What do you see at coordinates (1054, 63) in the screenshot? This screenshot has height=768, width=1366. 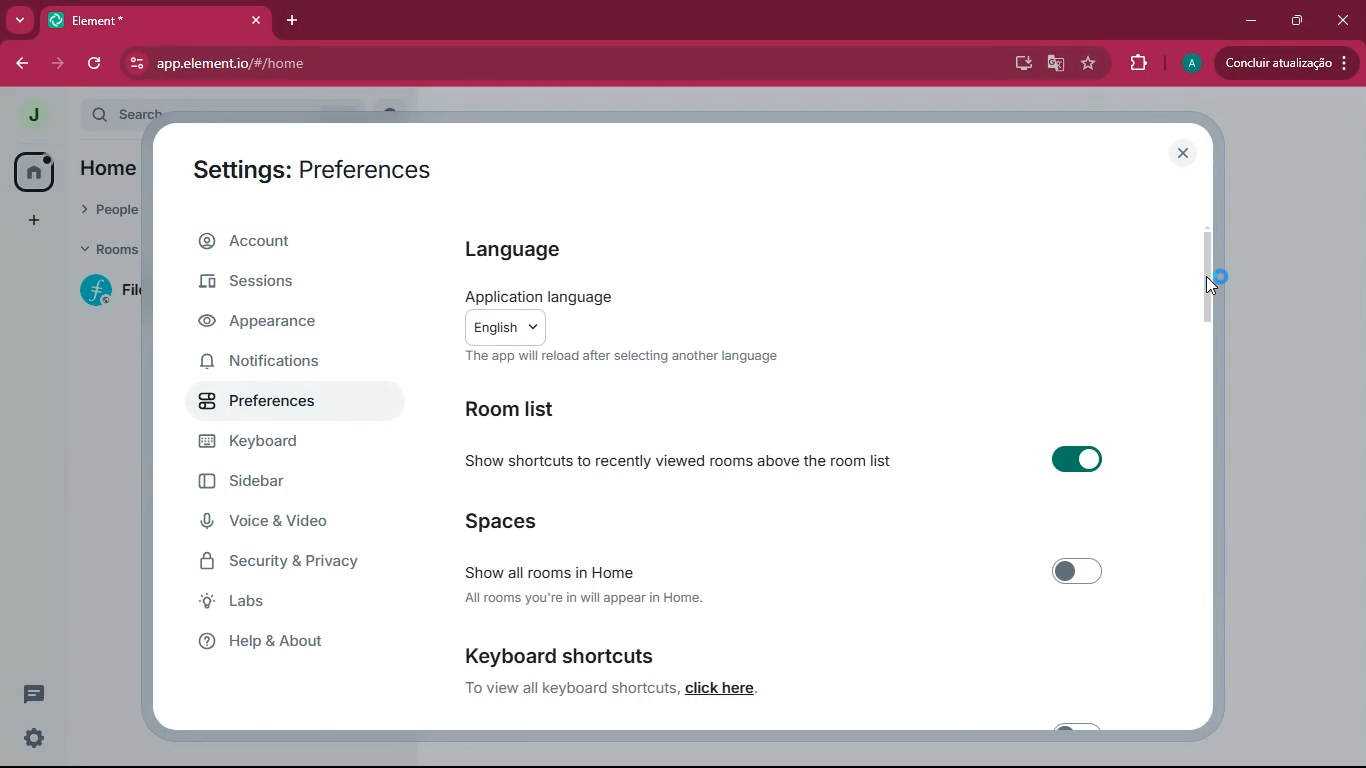 I see `google translate` at bounding box center [1054, 63].